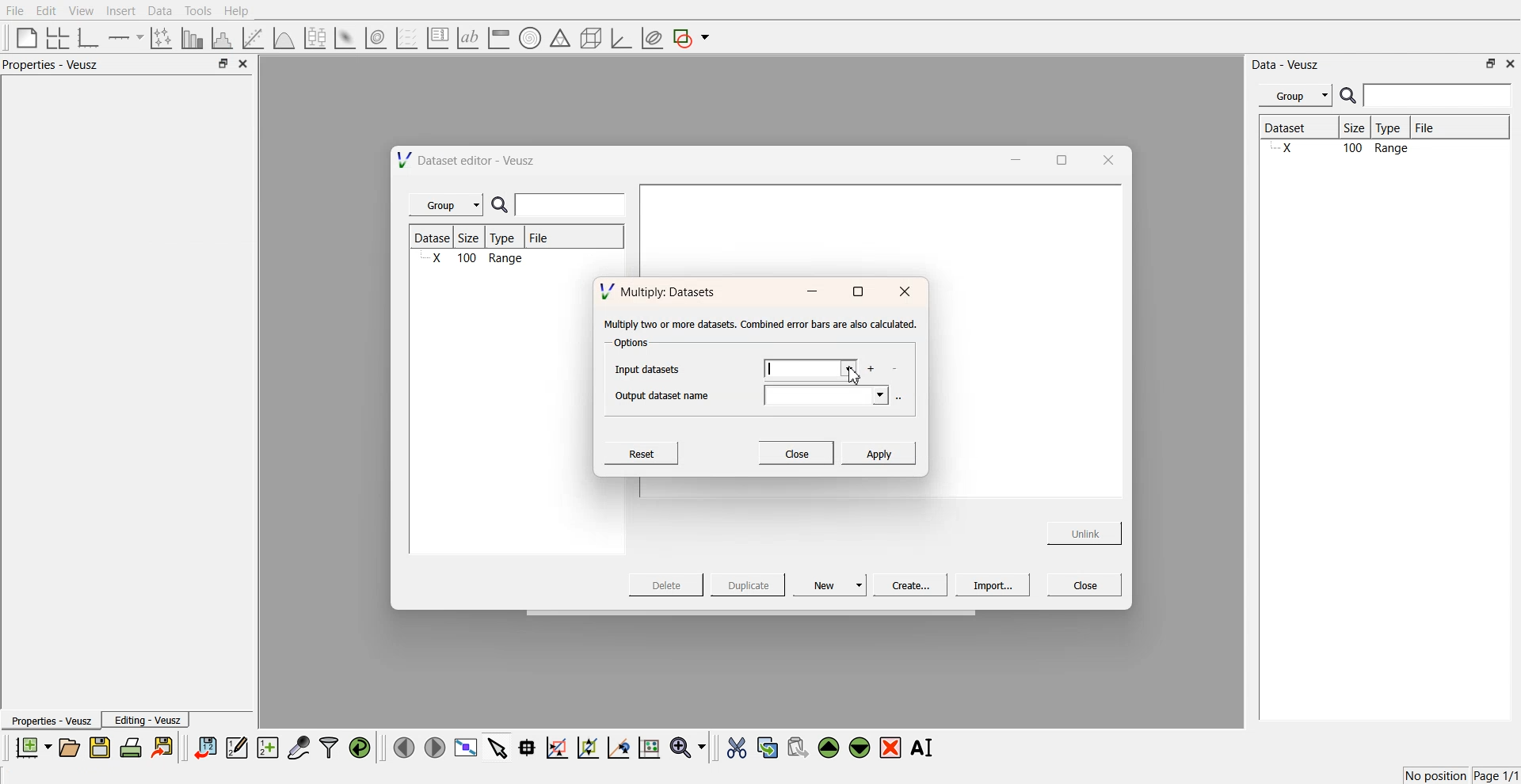 This screenshot has width=1521, height=784. Describe the element at coordinates (47, 10) in the screenshot. I see `Edit` at that location.